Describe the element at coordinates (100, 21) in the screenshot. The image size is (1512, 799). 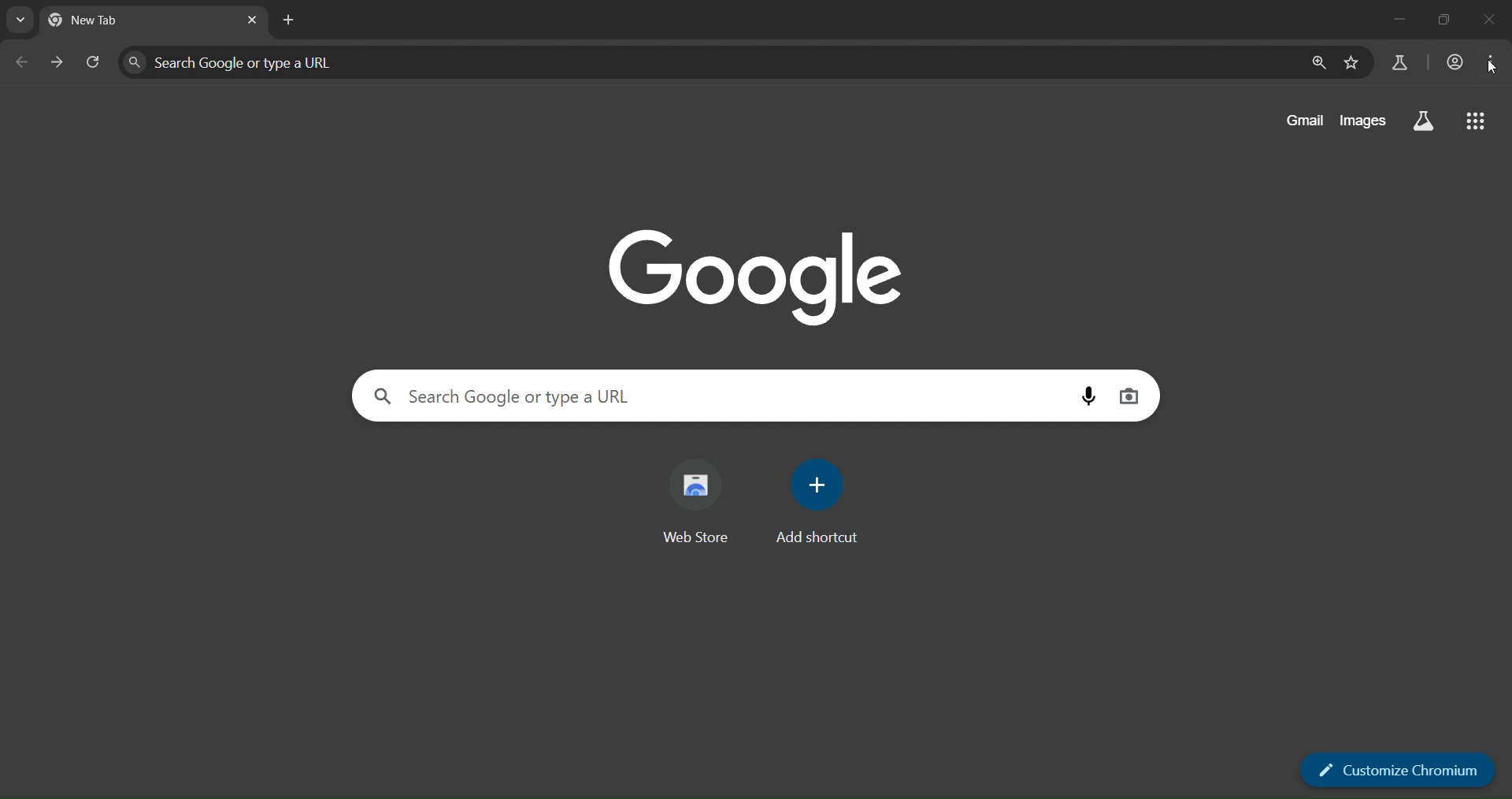
I see `current page` at that location.